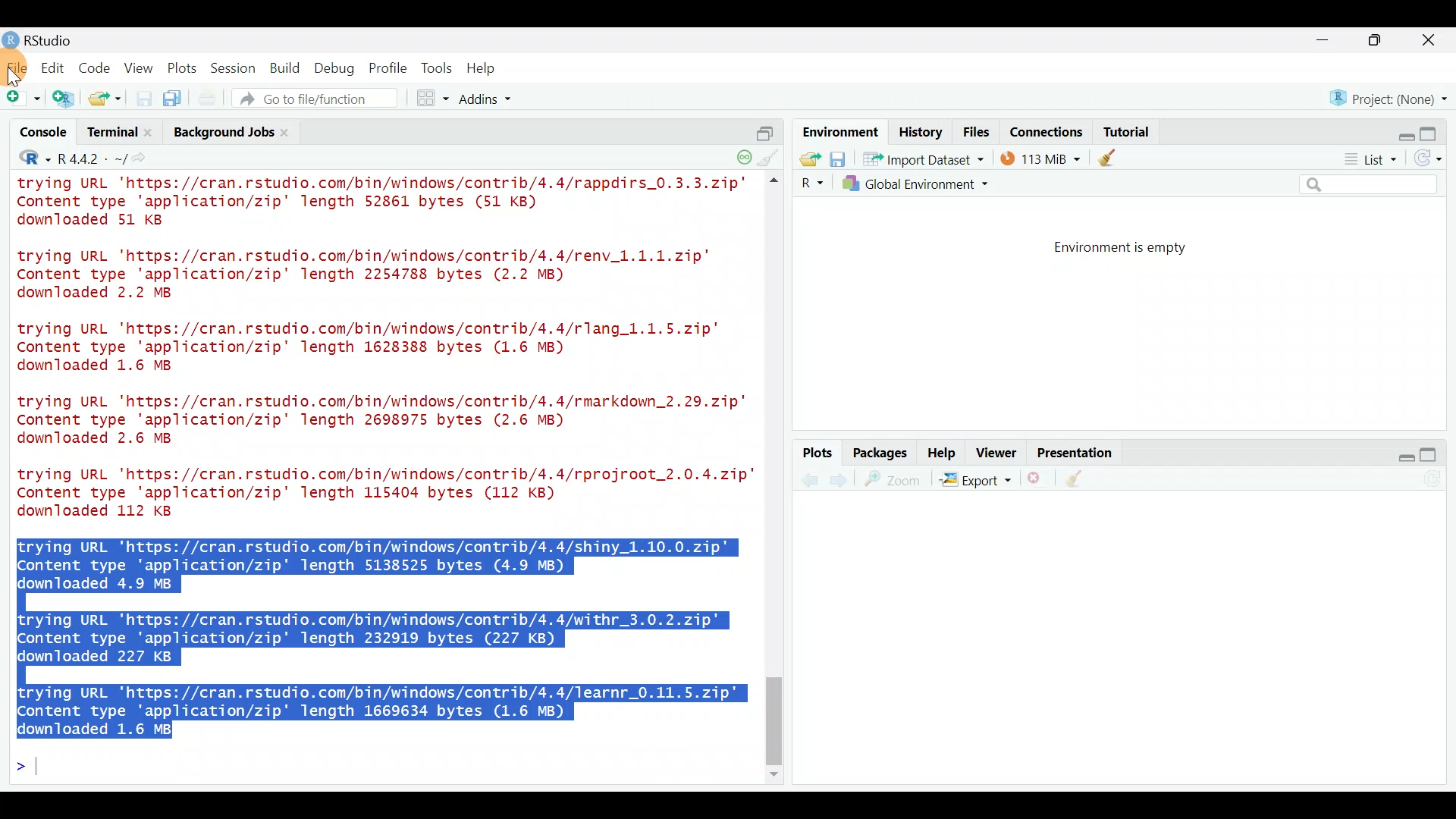 This screenshot has height=819, width=1456. I want to click on Debug, so click(333, 69).